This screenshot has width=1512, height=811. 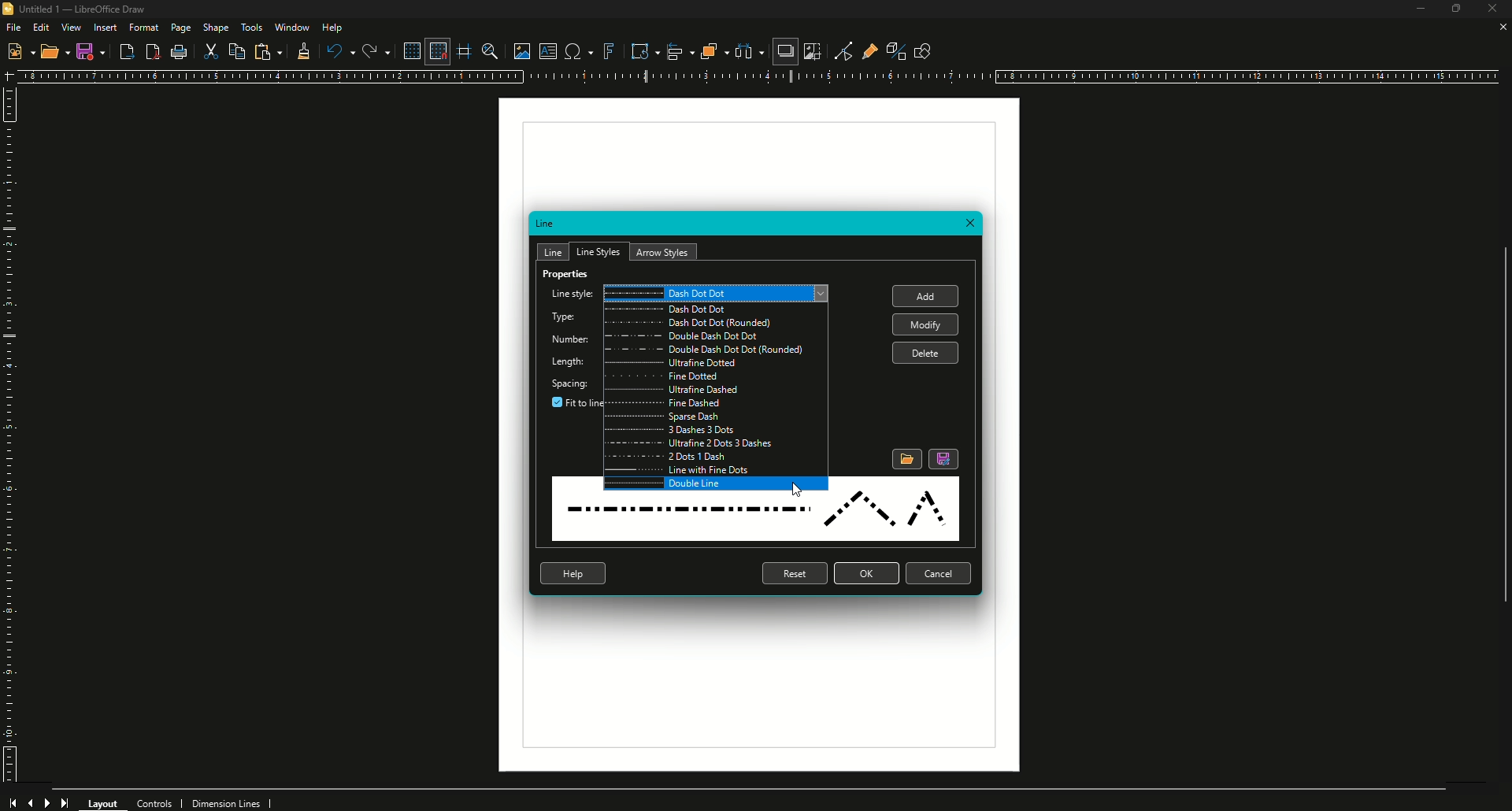 I want to click on Spacing, so click(x=571, y=383).